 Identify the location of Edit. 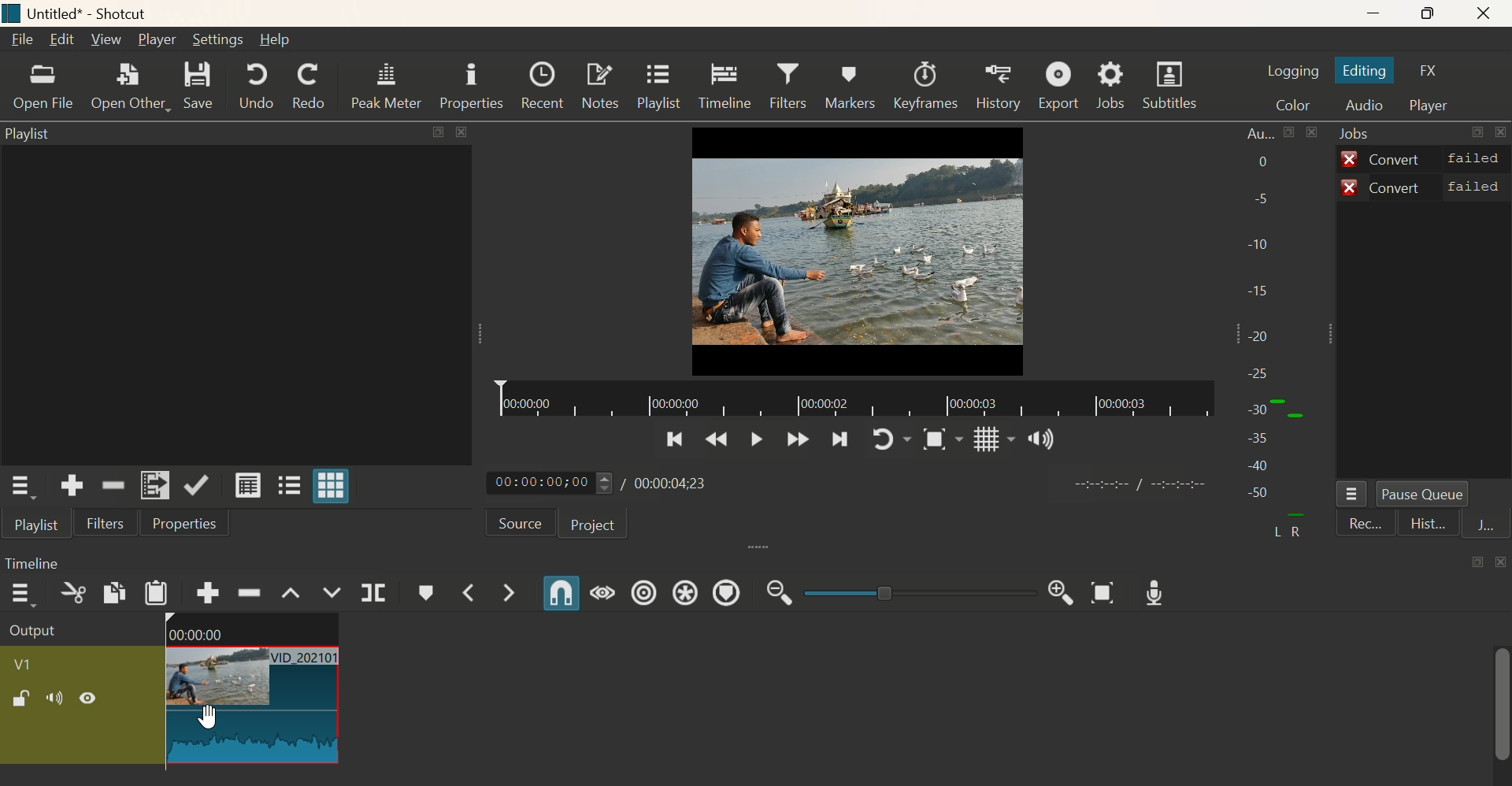
(62, 43).